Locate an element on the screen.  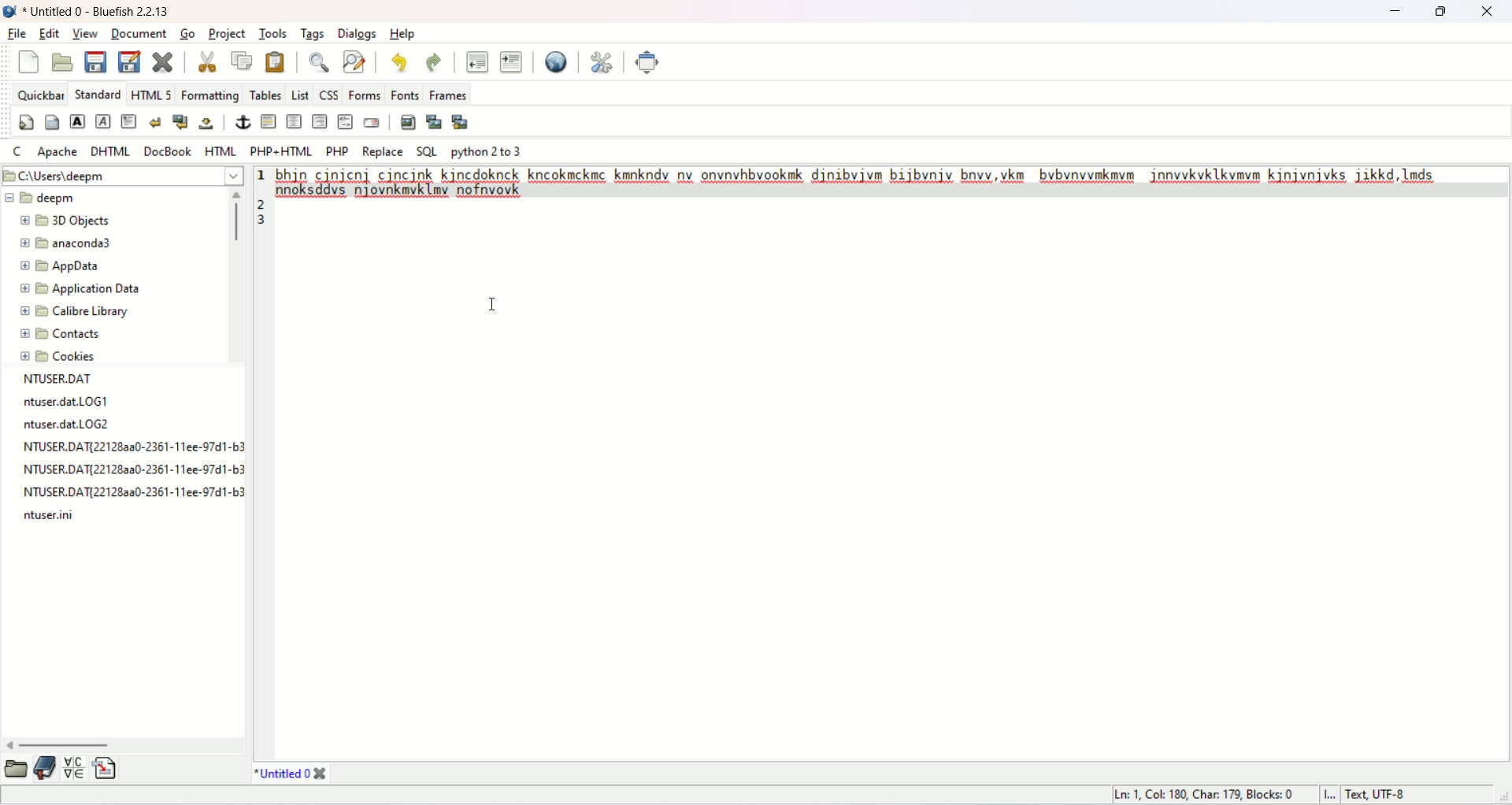
appdata is located at coordinates (62, 265).